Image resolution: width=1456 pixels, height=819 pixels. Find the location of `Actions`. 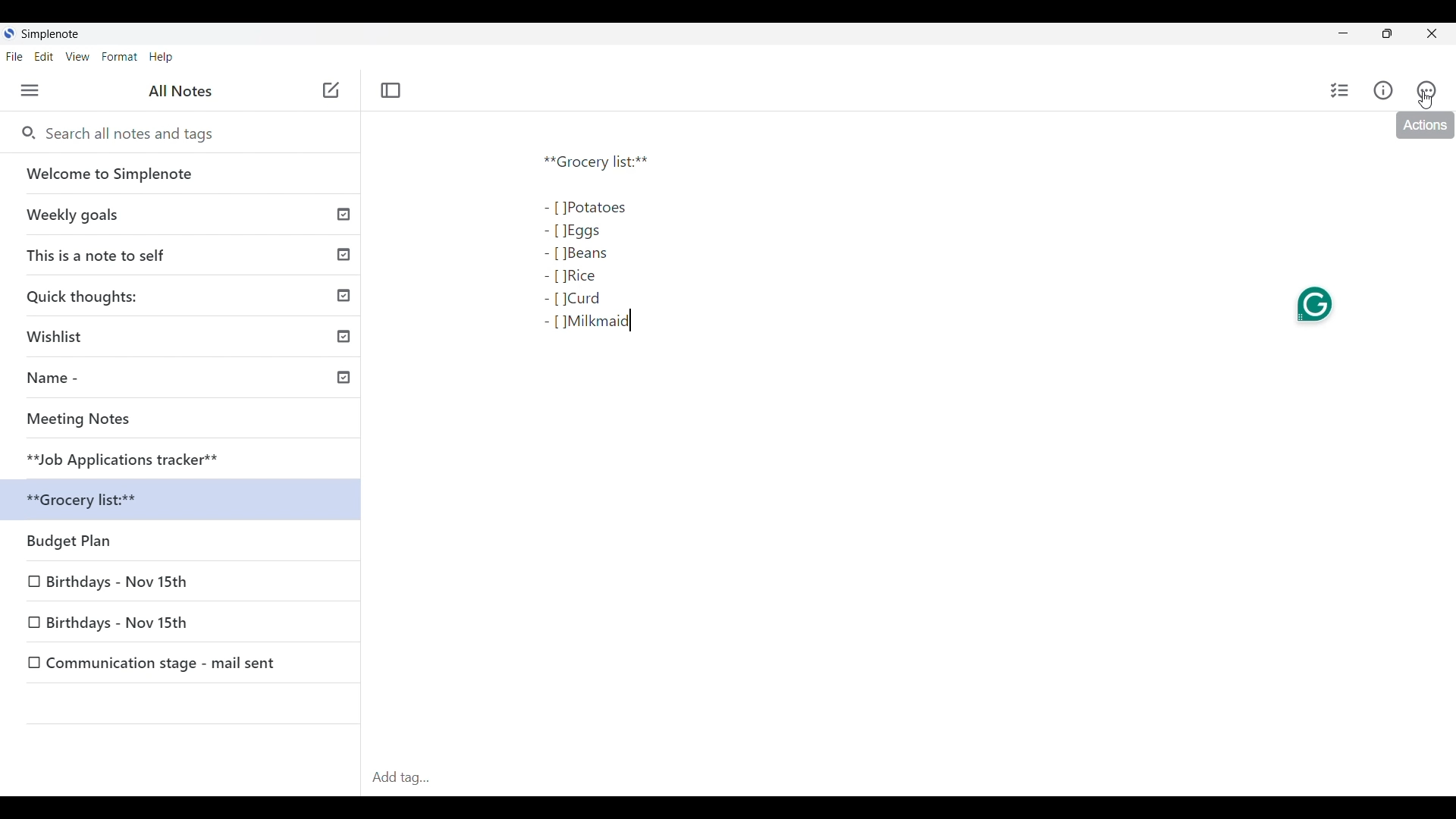

Actions is located at coordinates (1426, 90).